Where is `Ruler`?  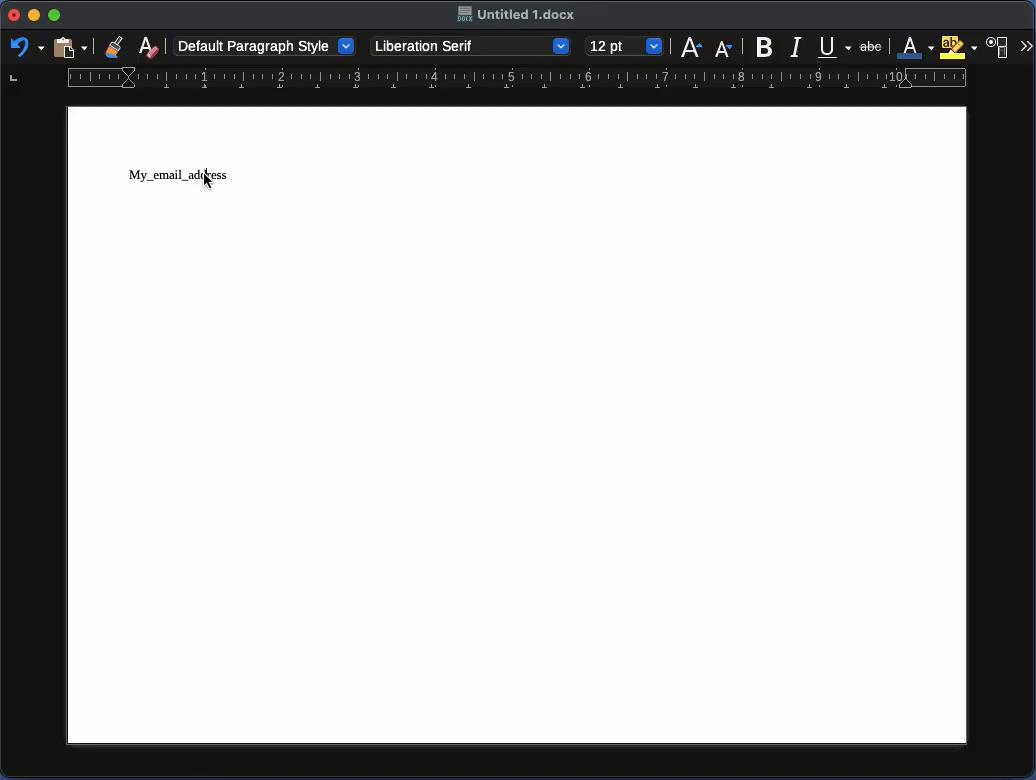
Ruler is located at coordinates (489, 81).